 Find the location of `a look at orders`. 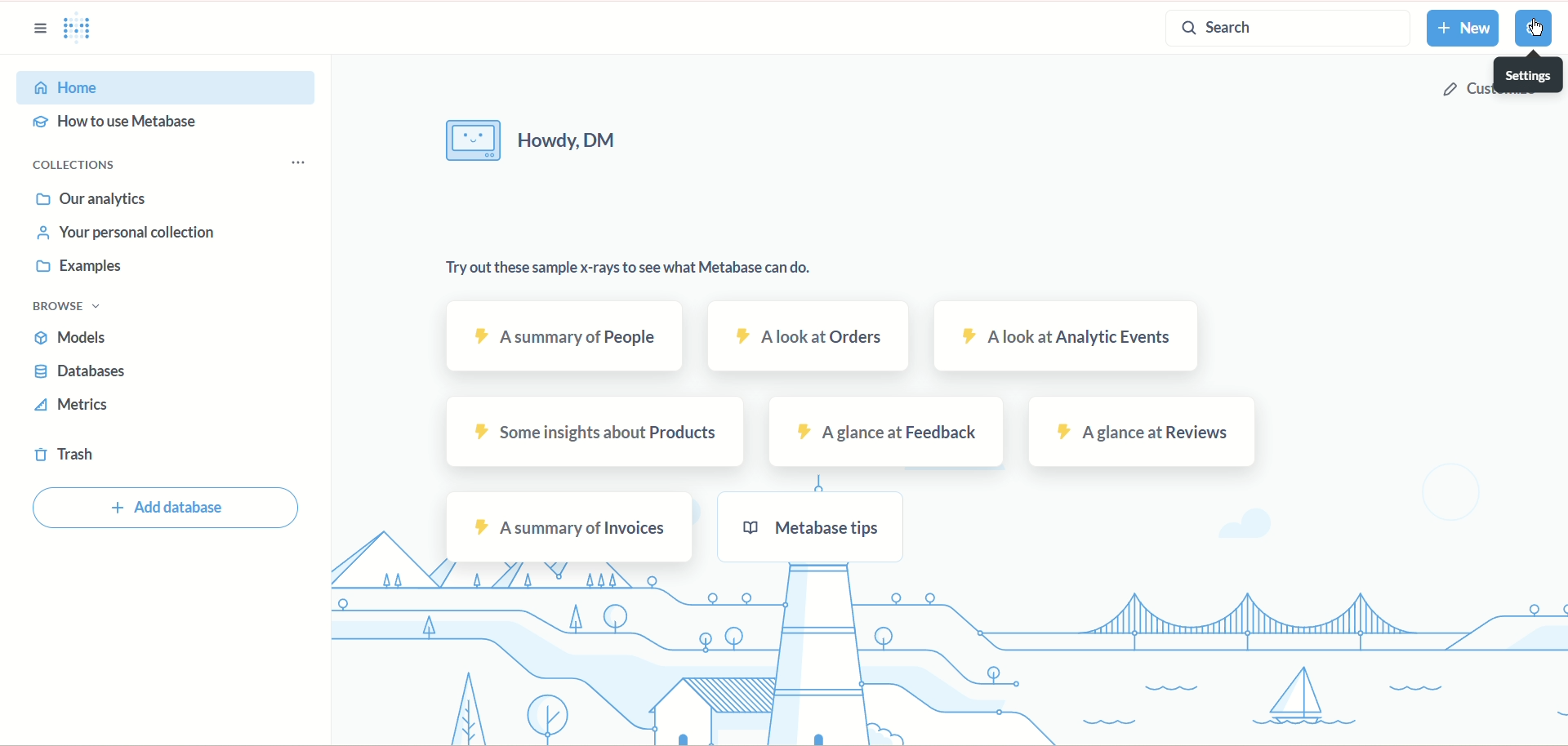

a look at orders is located at coordinates (807, 332).